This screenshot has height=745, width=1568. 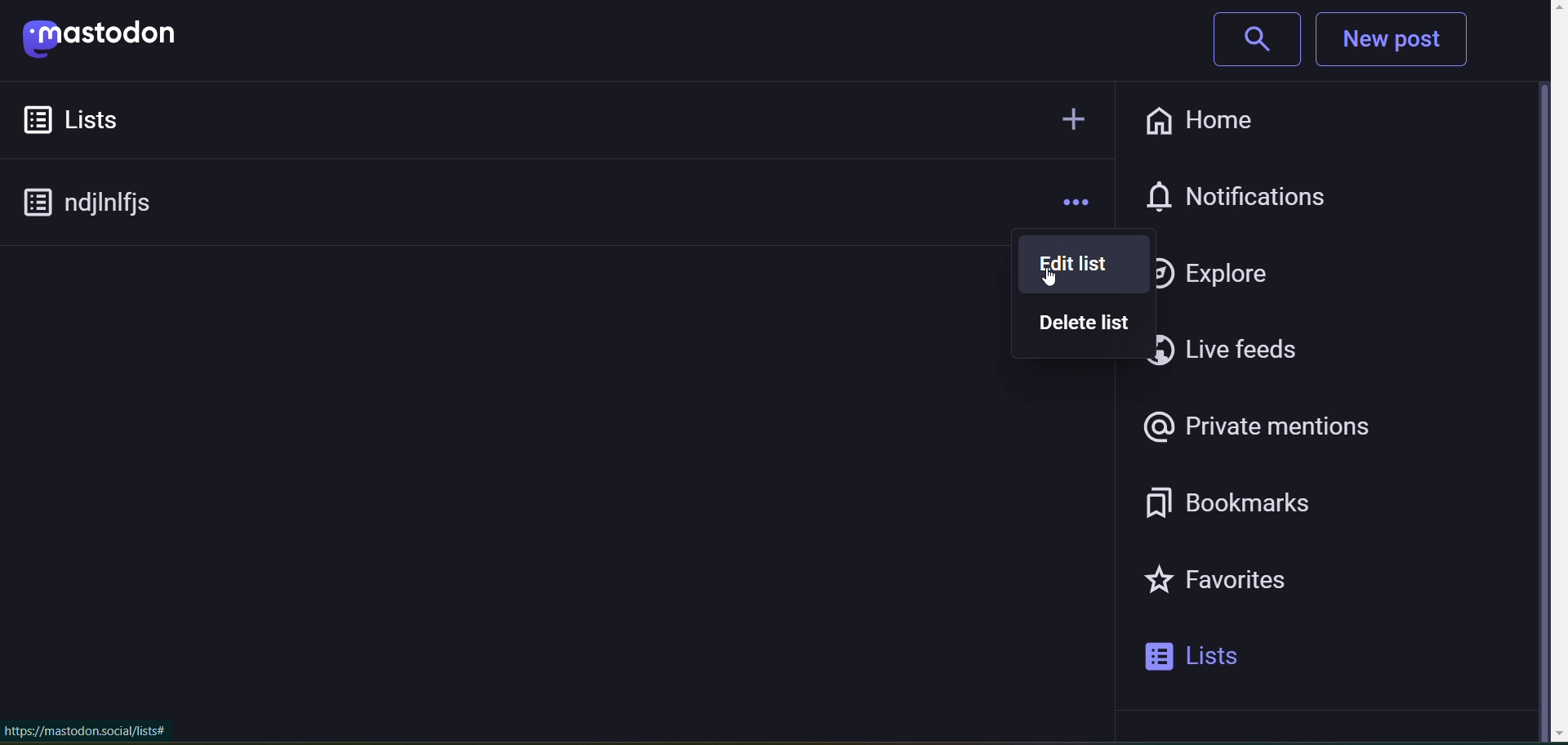 I want to click on home, so click(x=1196, y=118).